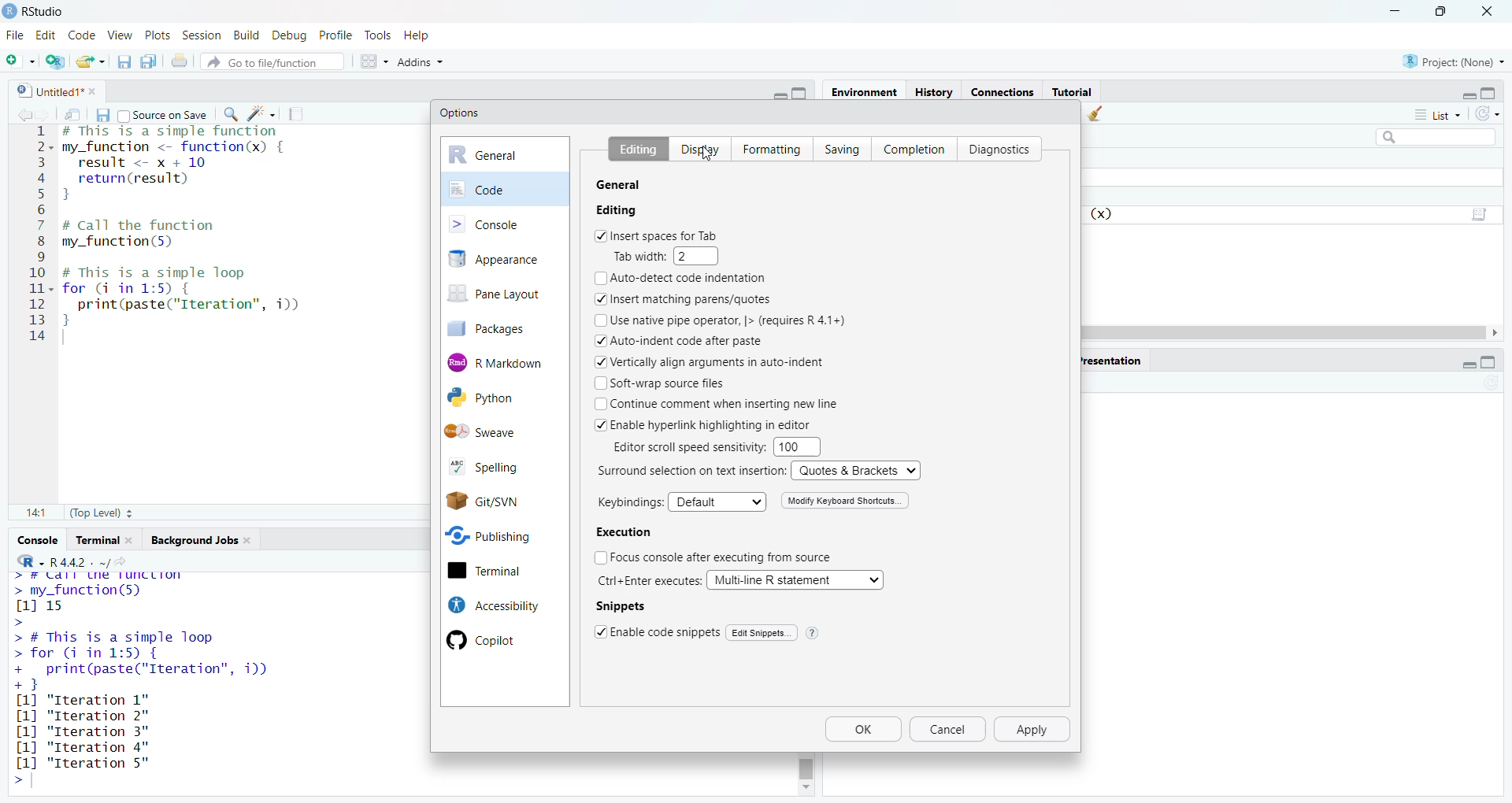  What do you see at coordinates (20, 58) in the screenshot?
I see `new file` at bounding box center [20, 58].